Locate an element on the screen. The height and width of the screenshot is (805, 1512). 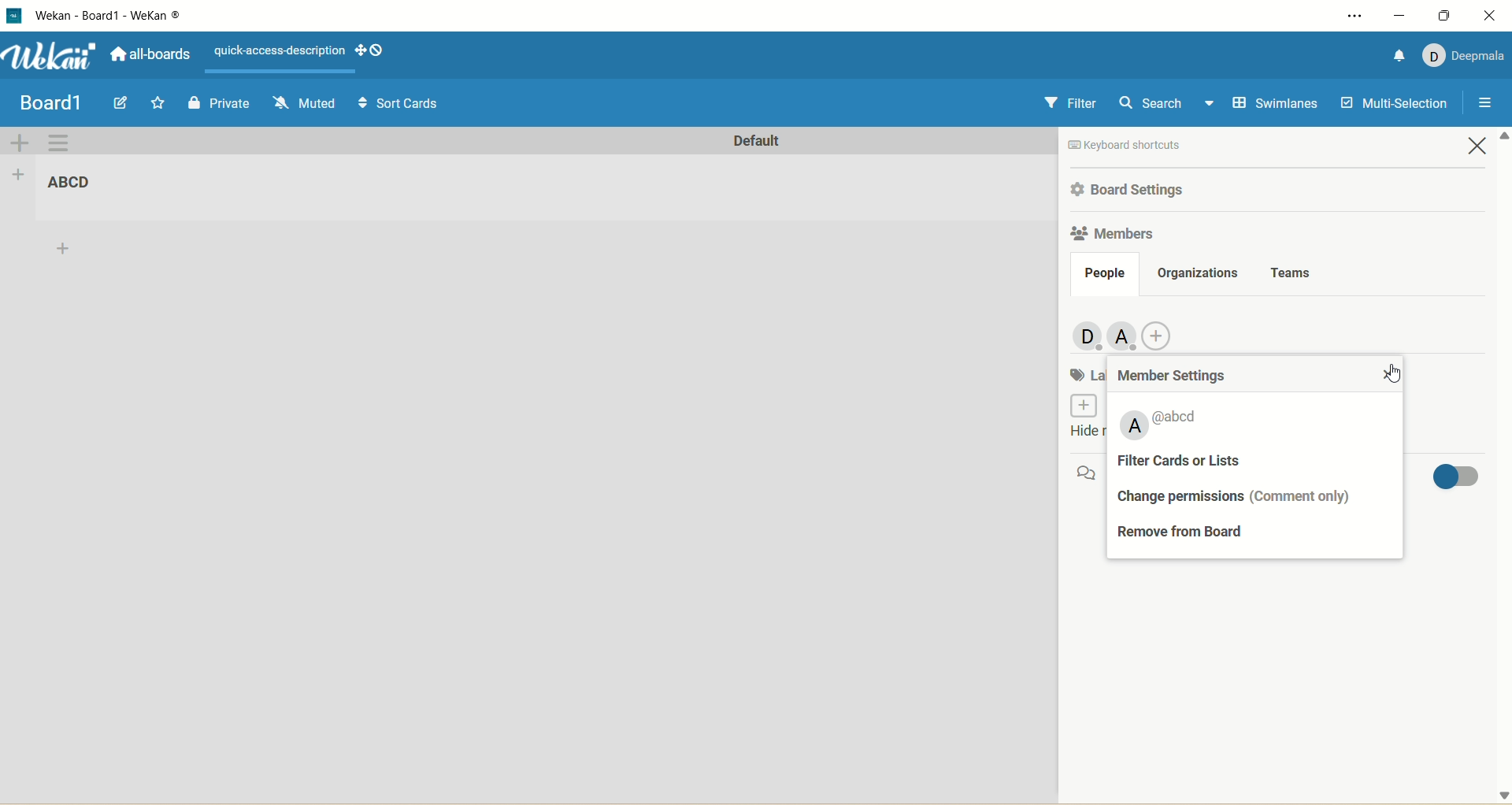
organizations is located at coordinates (1199, 272).